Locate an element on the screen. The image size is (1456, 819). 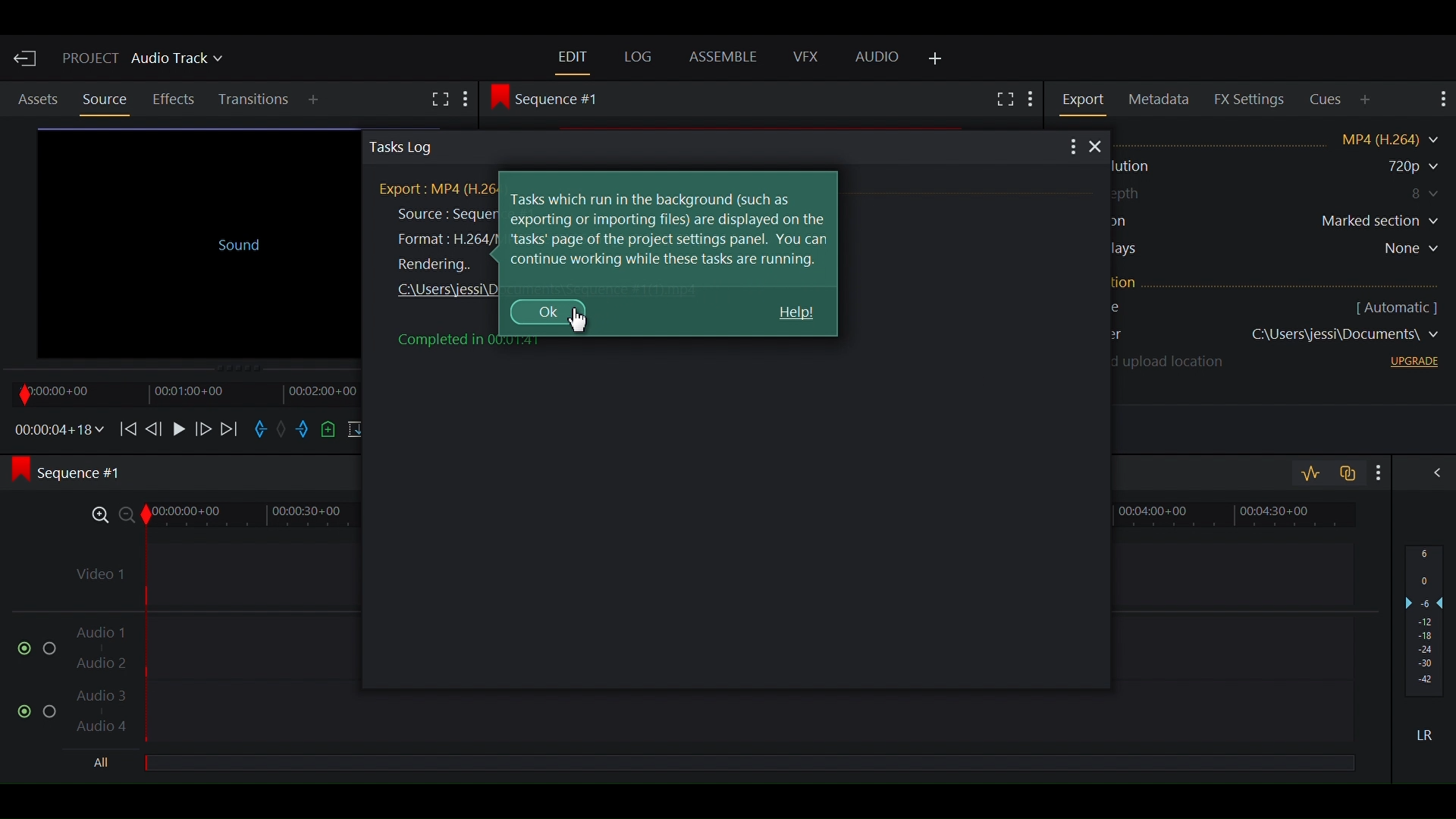
Timeline is located at coordinates (181, 393).